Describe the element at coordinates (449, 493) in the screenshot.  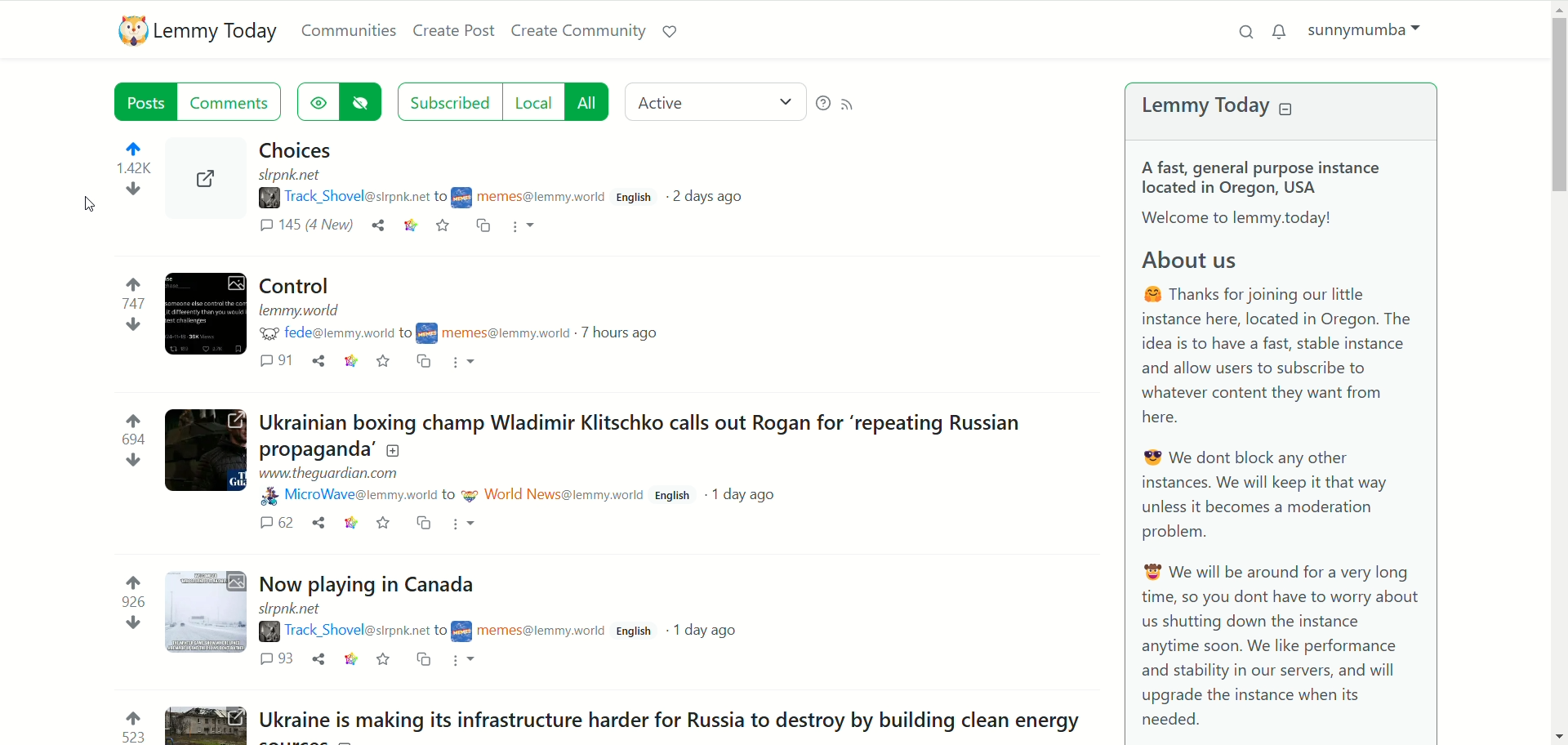
I see `to` at that location.